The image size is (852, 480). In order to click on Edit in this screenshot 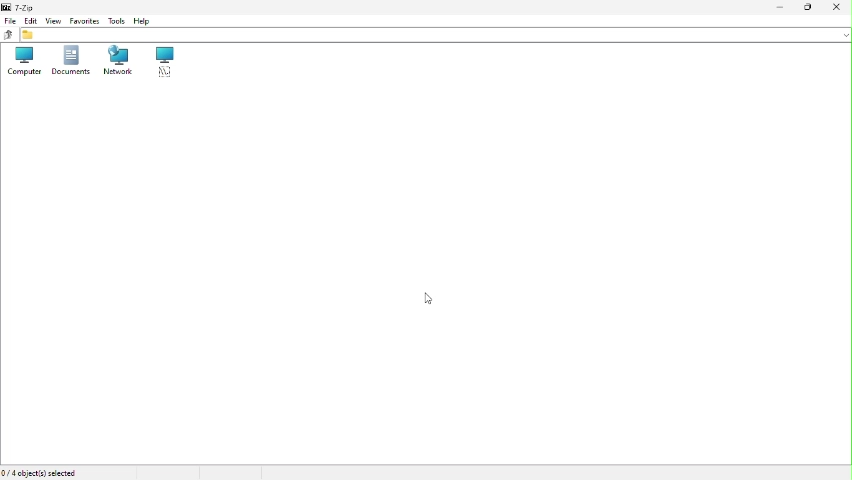, I will do `click(31, 20)`.